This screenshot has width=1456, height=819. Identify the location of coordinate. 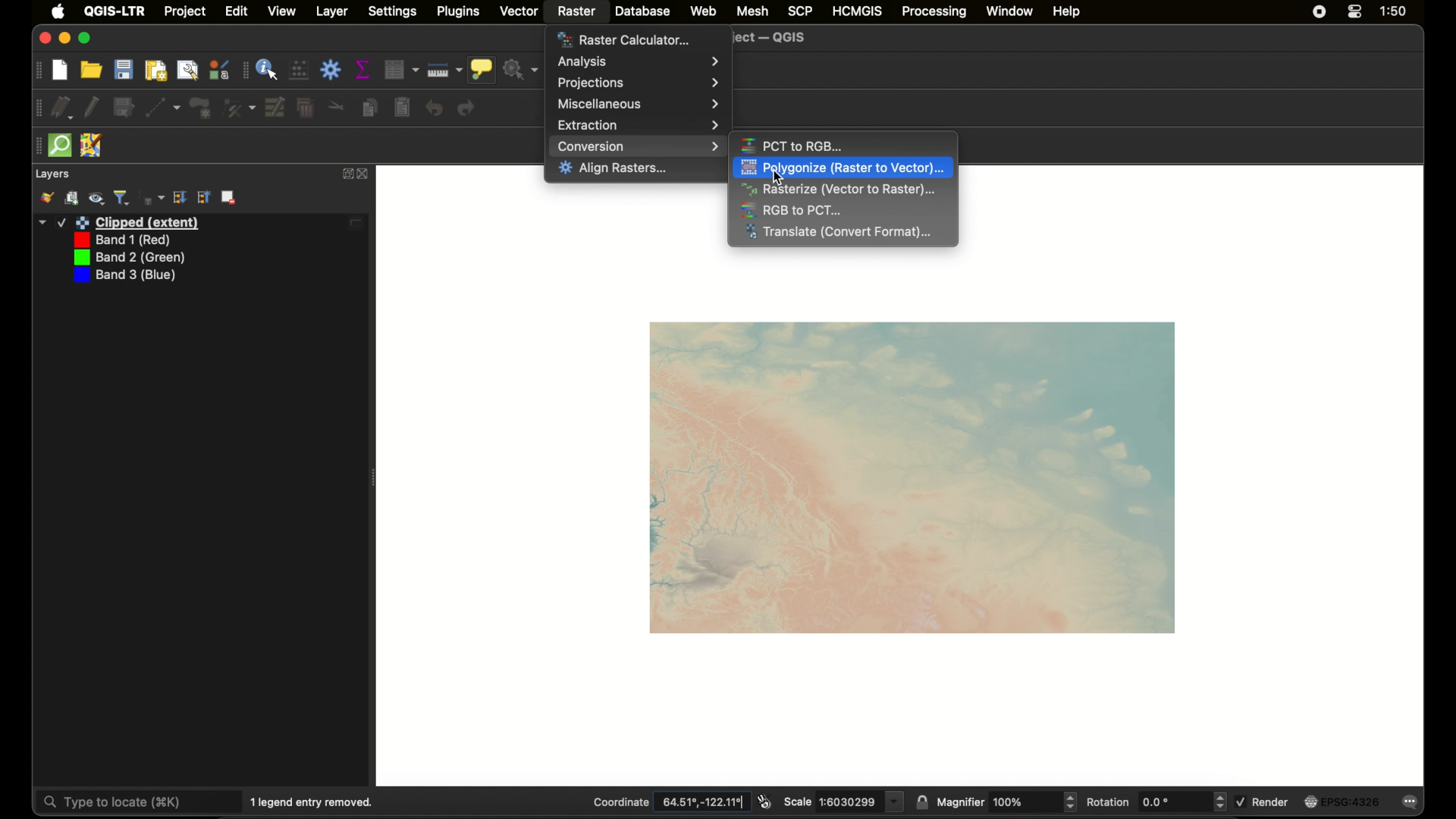
(669, 802).